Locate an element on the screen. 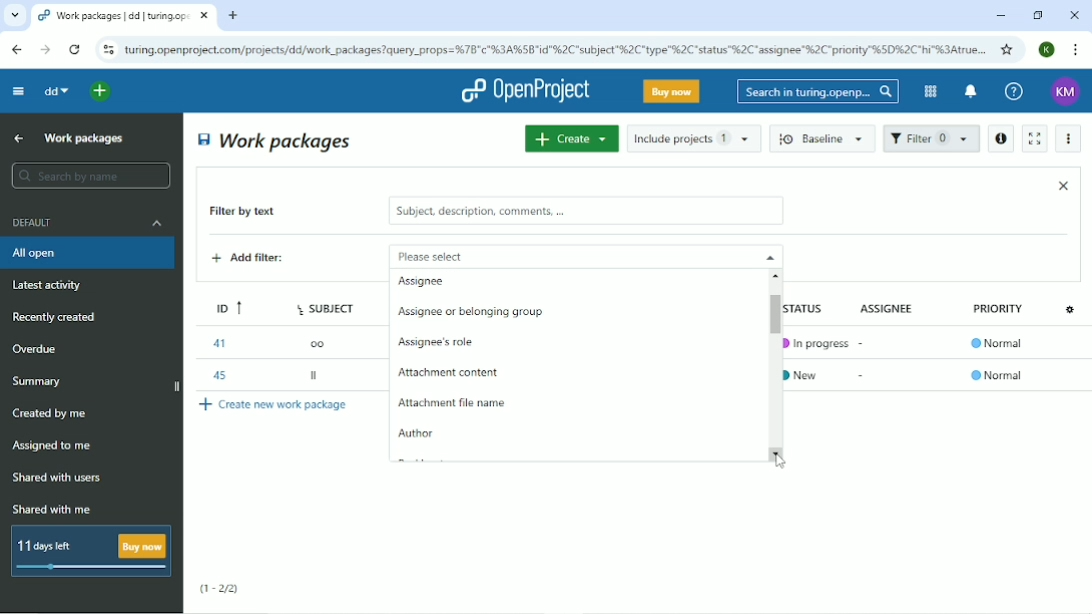 The width and height of the screenshot is (1092, 614). attachment content is located at coordinates (450, 370).